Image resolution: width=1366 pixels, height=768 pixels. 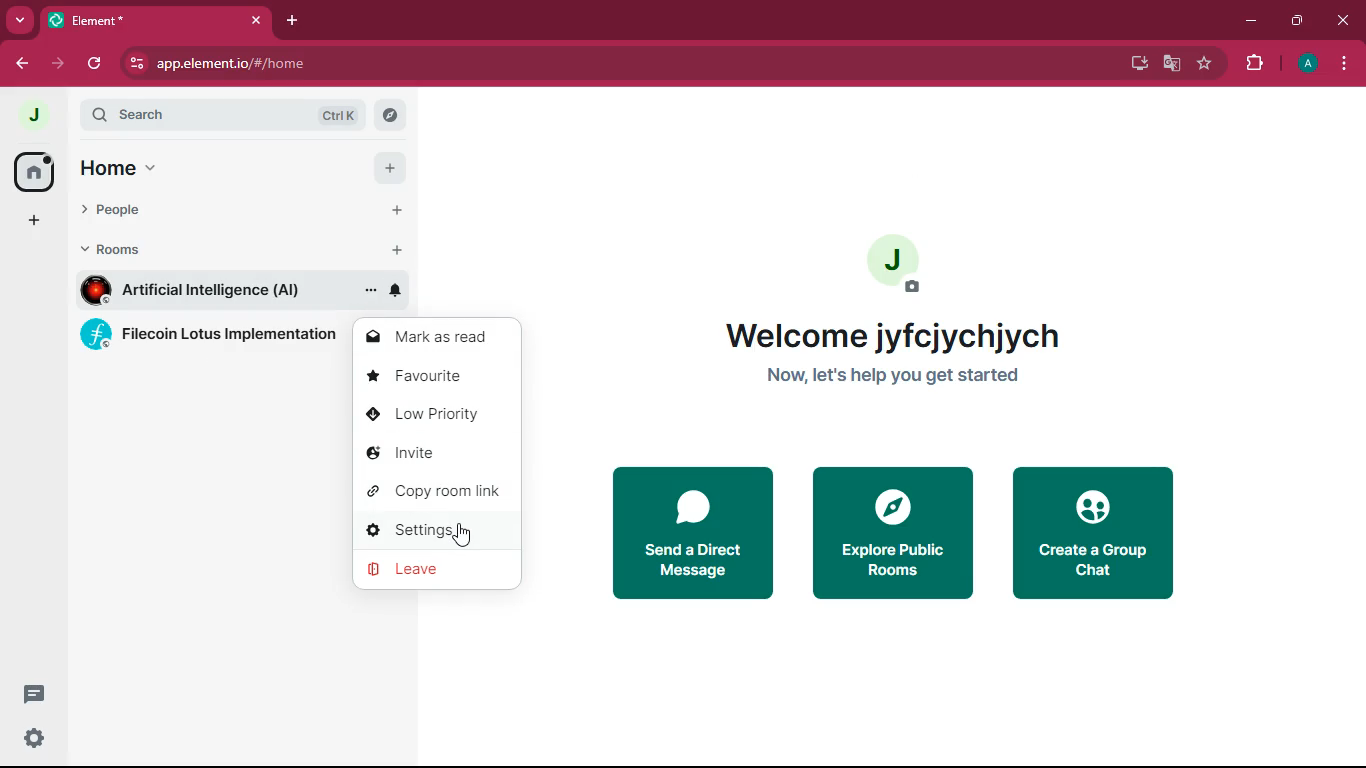 I want to click on send direct message, so click(x=686, y=534).